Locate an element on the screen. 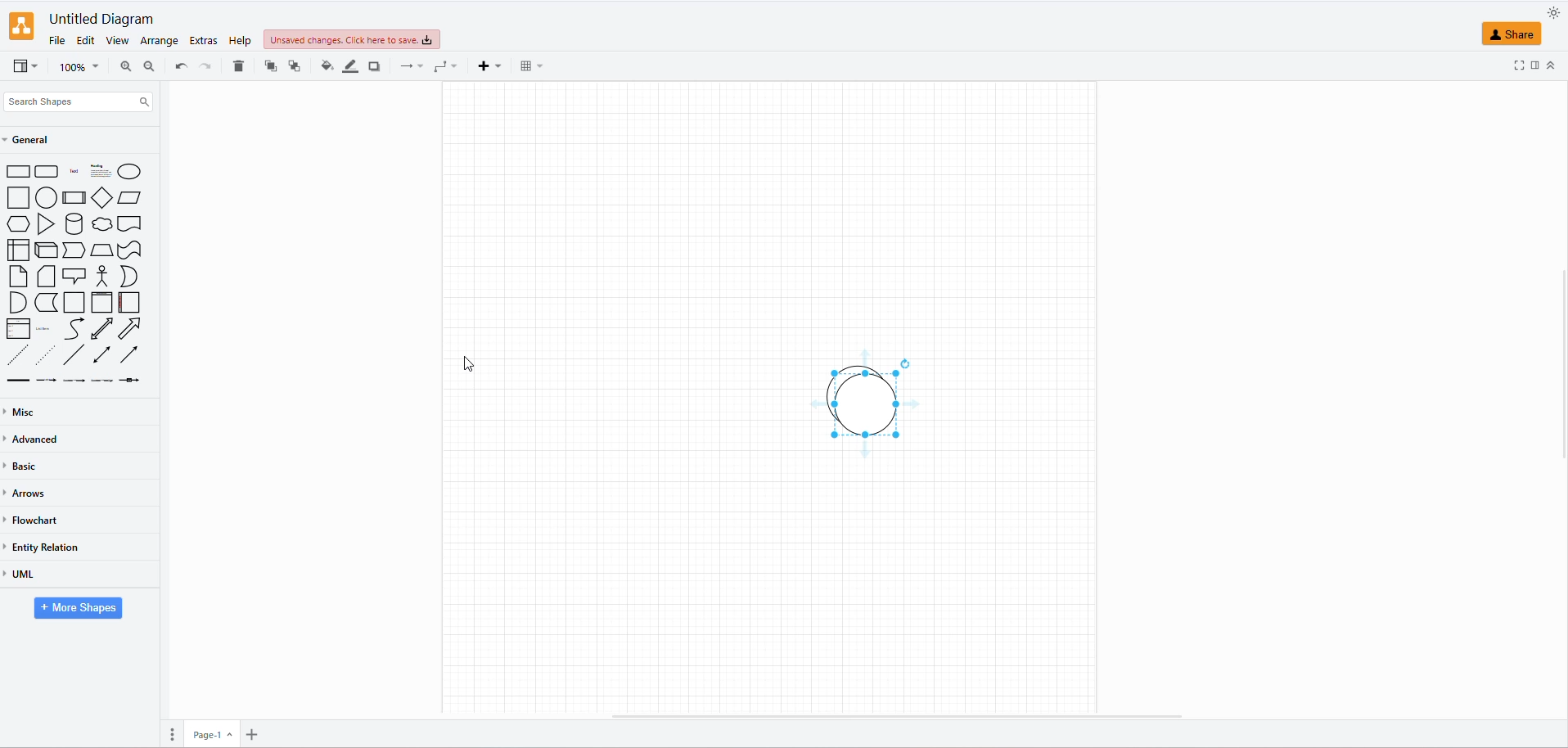 The width and height of the screenshot is (1568, 748). ARROWS is located at coordinates (29, 495).